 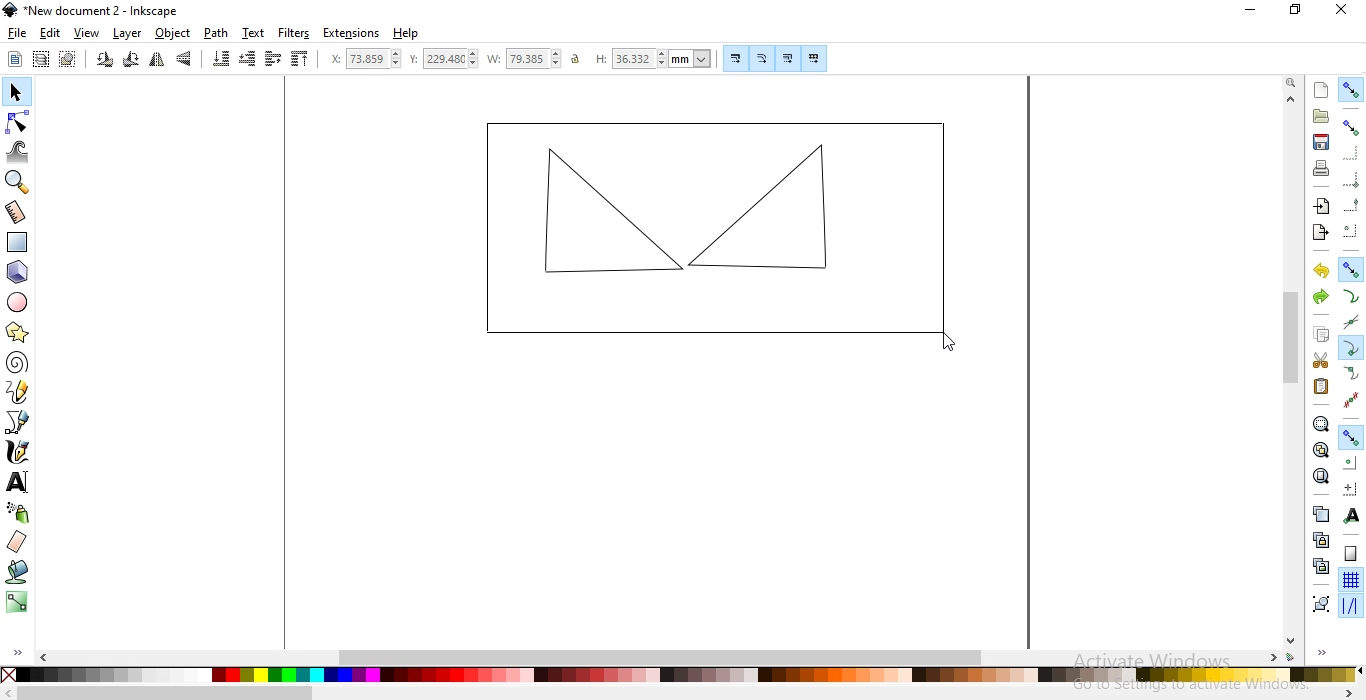 I want to click on extensions, so click(x=352, y=34).